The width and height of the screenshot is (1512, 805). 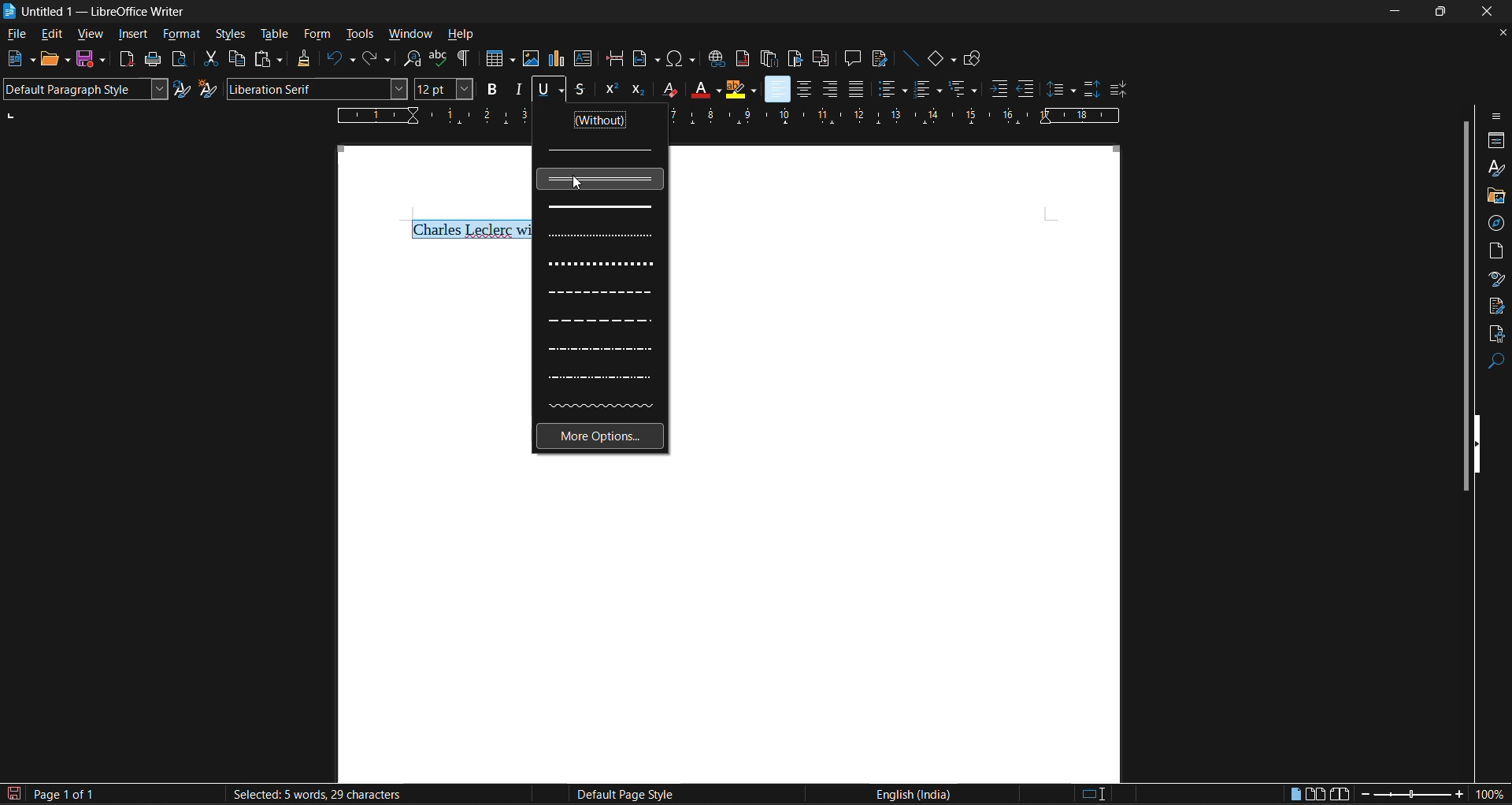 I want to click on save, so click(x=90, y=60).